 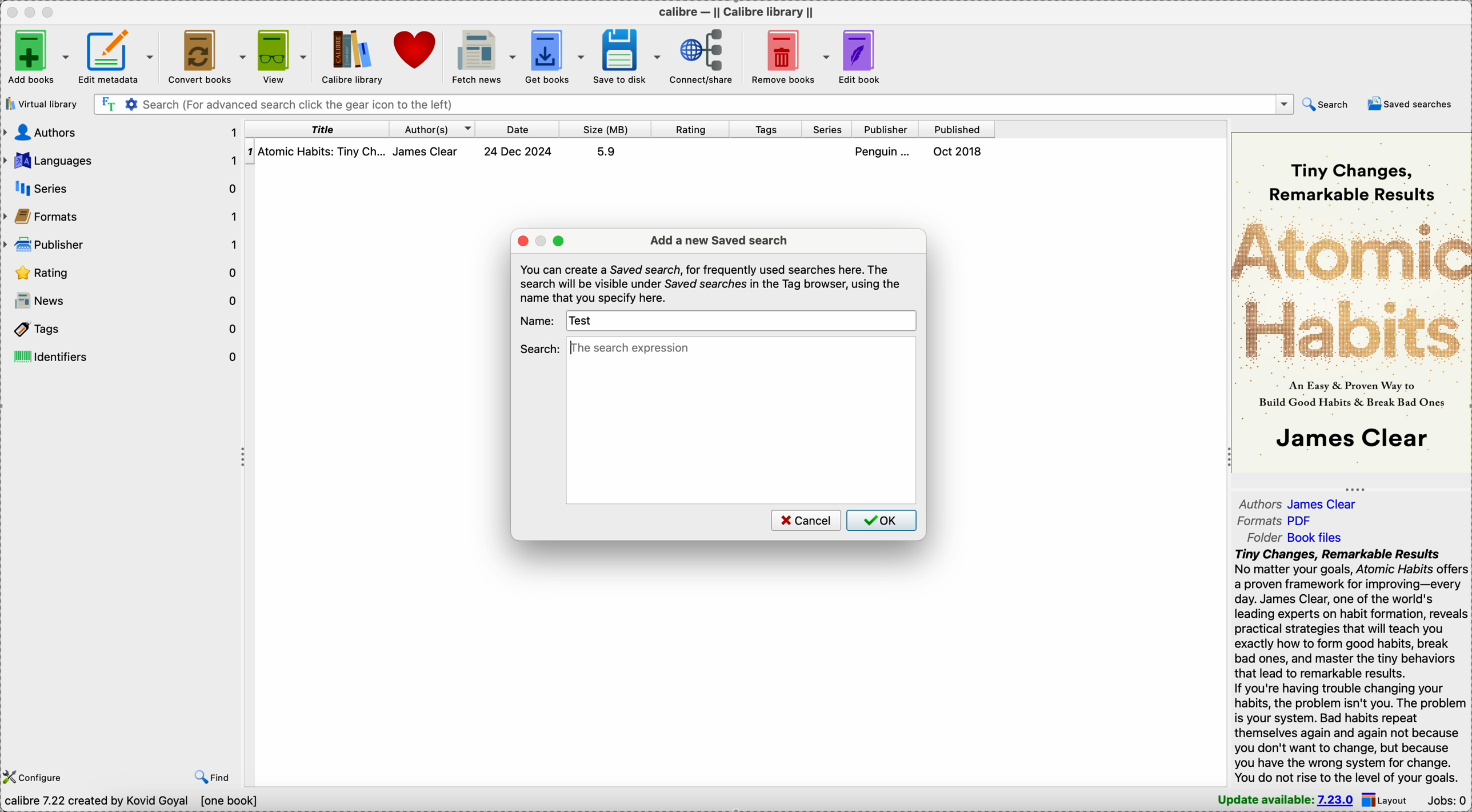 I want to click on view, so click(x=281, y=54).